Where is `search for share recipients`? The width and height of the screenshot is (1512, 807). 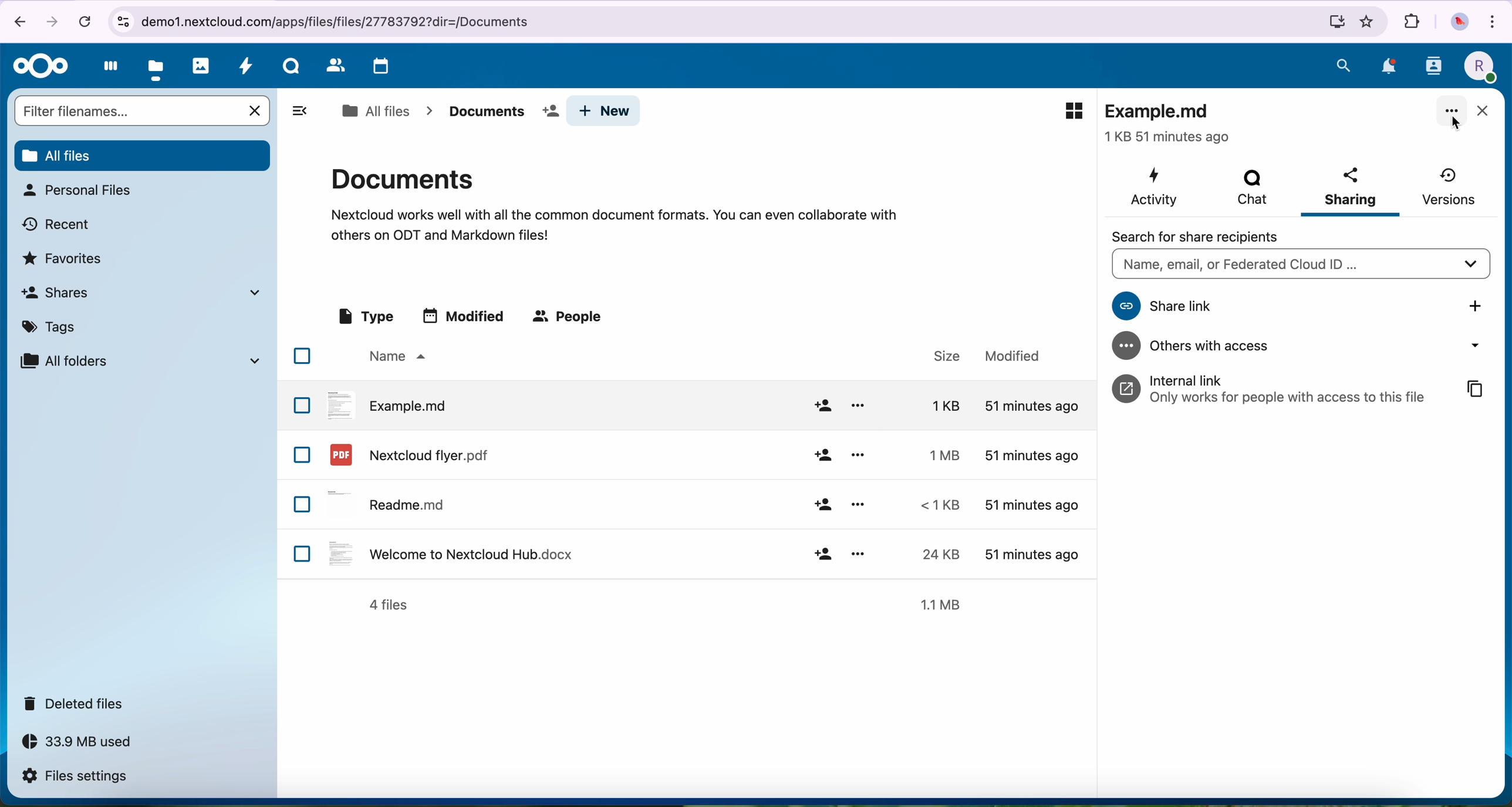
search for share recipients is located at coordinates (1207, 235).